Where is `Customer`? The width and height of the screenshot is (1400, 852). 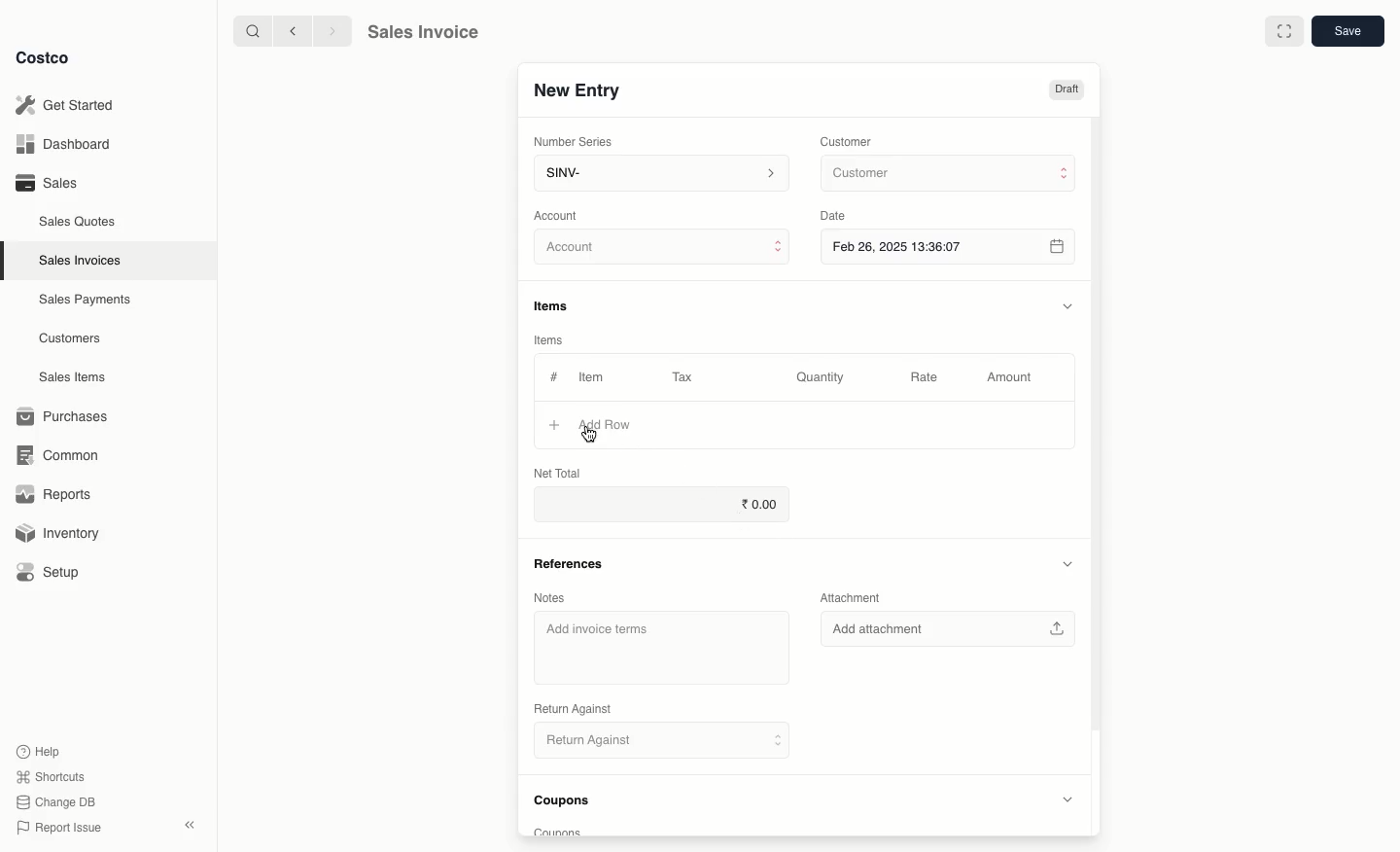
Customer is located at coordinates (946, 174).